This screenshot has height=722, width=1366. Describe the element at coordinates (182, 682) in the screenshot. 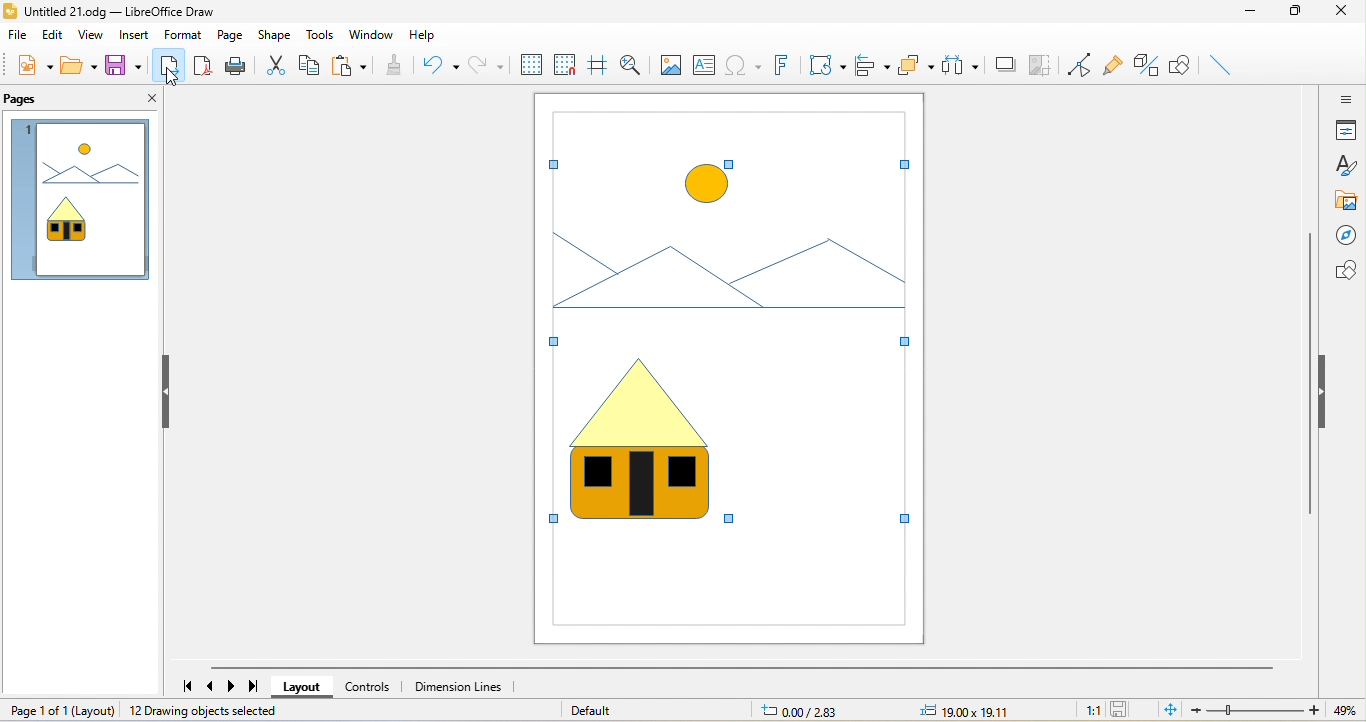

I see `first` at that location.